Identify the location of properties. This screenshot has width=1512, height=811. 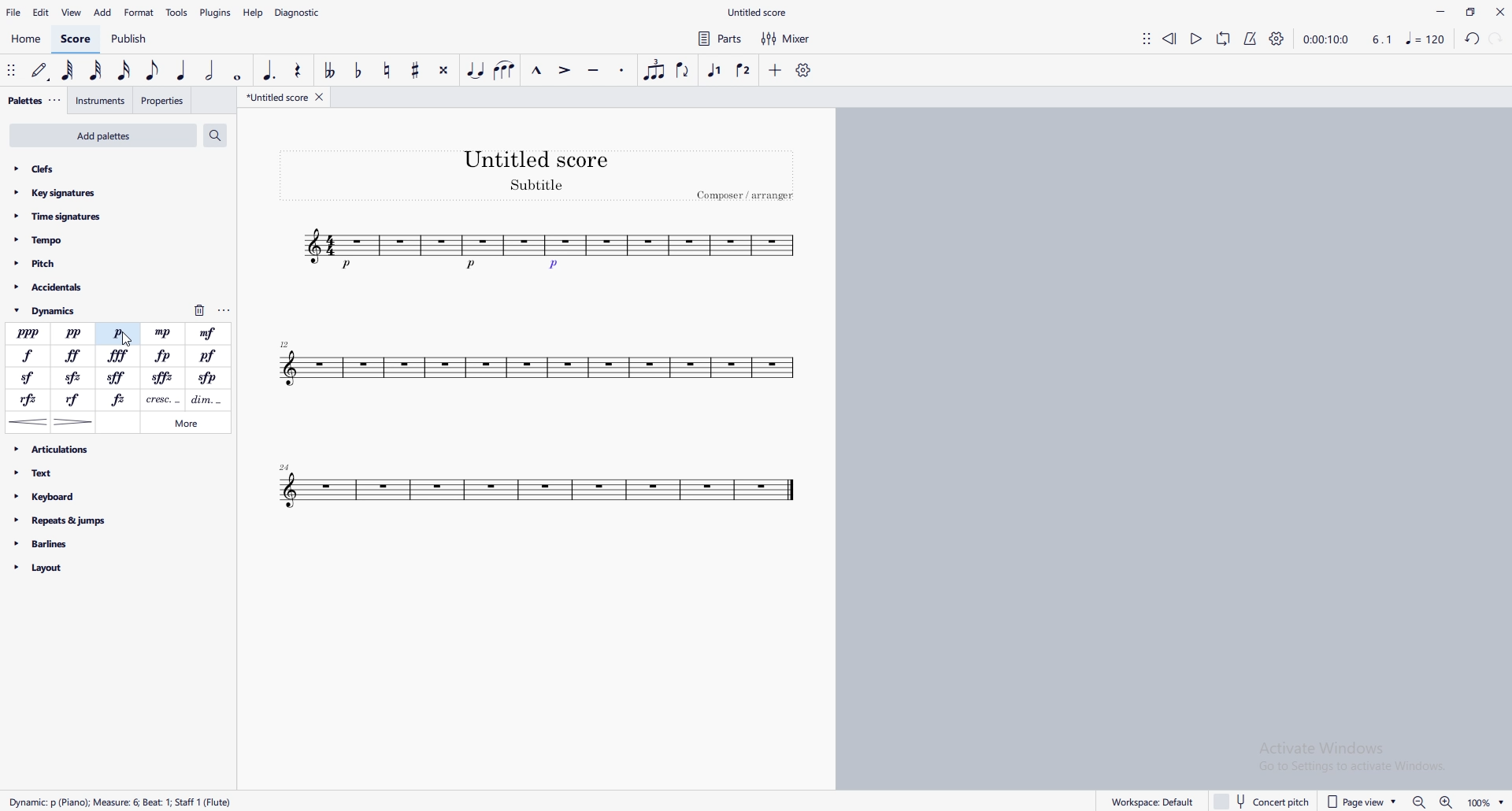
(163, 101).